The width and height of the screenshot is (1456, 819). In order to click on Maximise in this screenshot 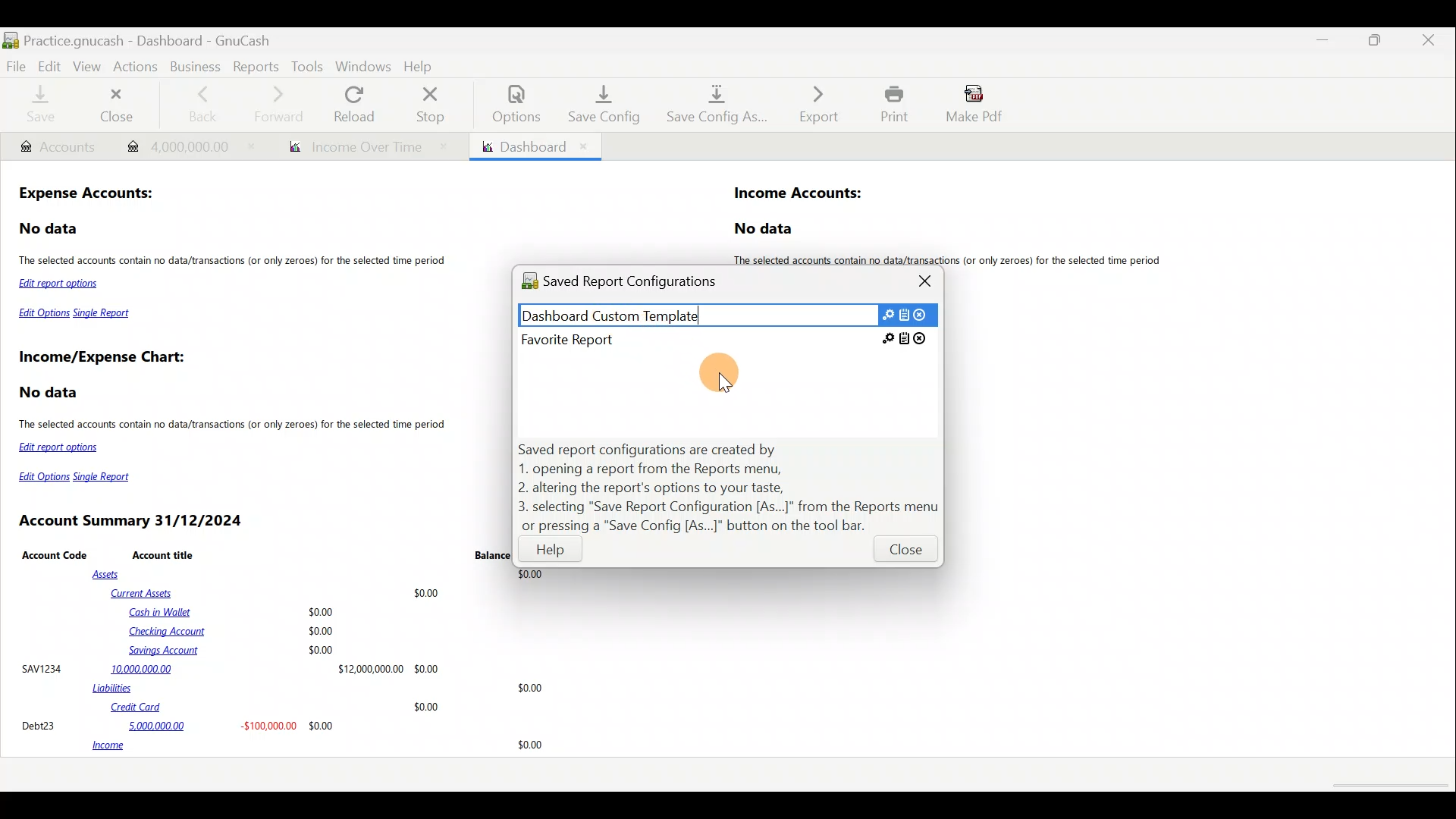, I will do `click(1378, 45)`.